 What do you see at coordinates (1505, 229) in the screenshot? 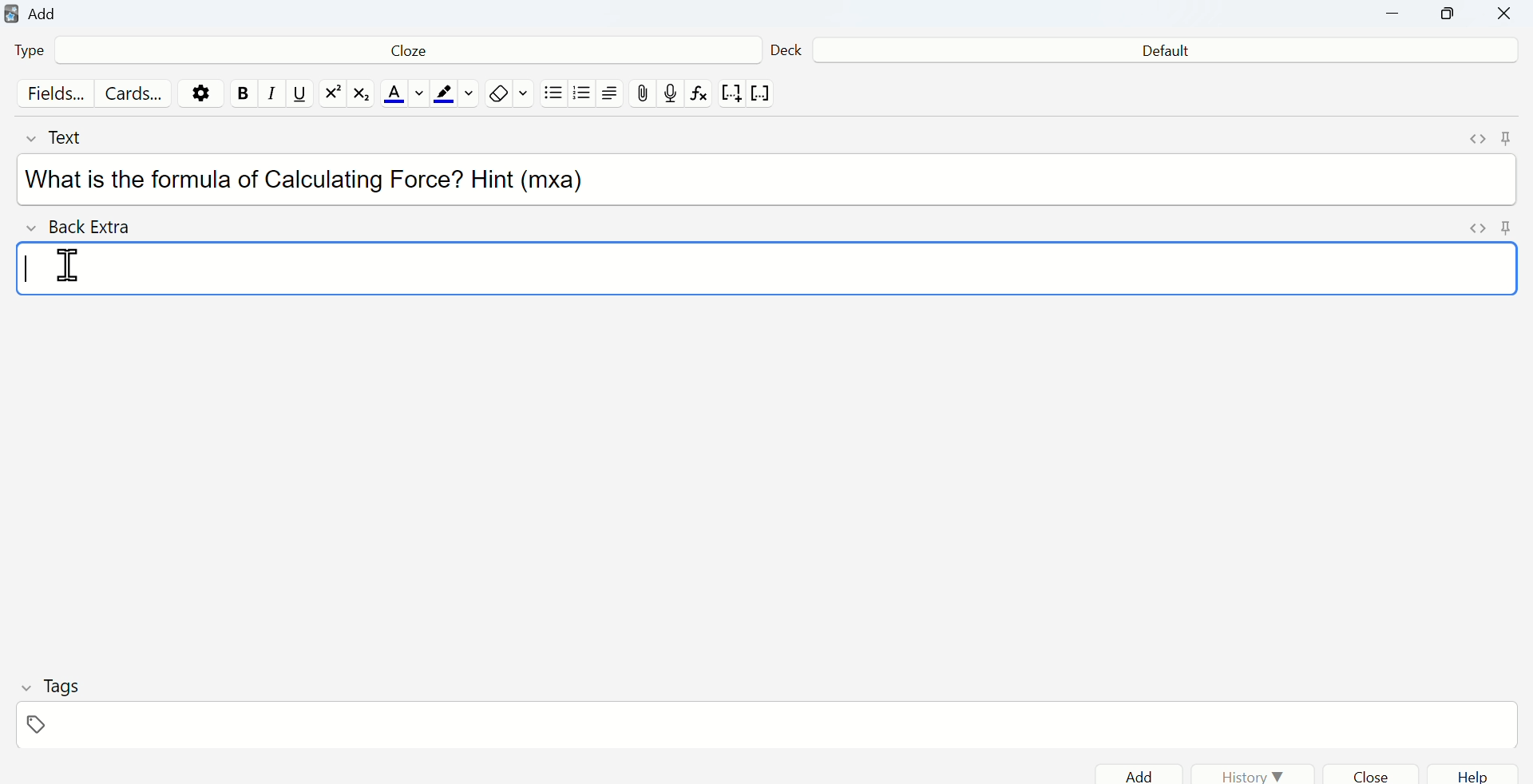
I see `Pim` at bounding box center [1505, 229].